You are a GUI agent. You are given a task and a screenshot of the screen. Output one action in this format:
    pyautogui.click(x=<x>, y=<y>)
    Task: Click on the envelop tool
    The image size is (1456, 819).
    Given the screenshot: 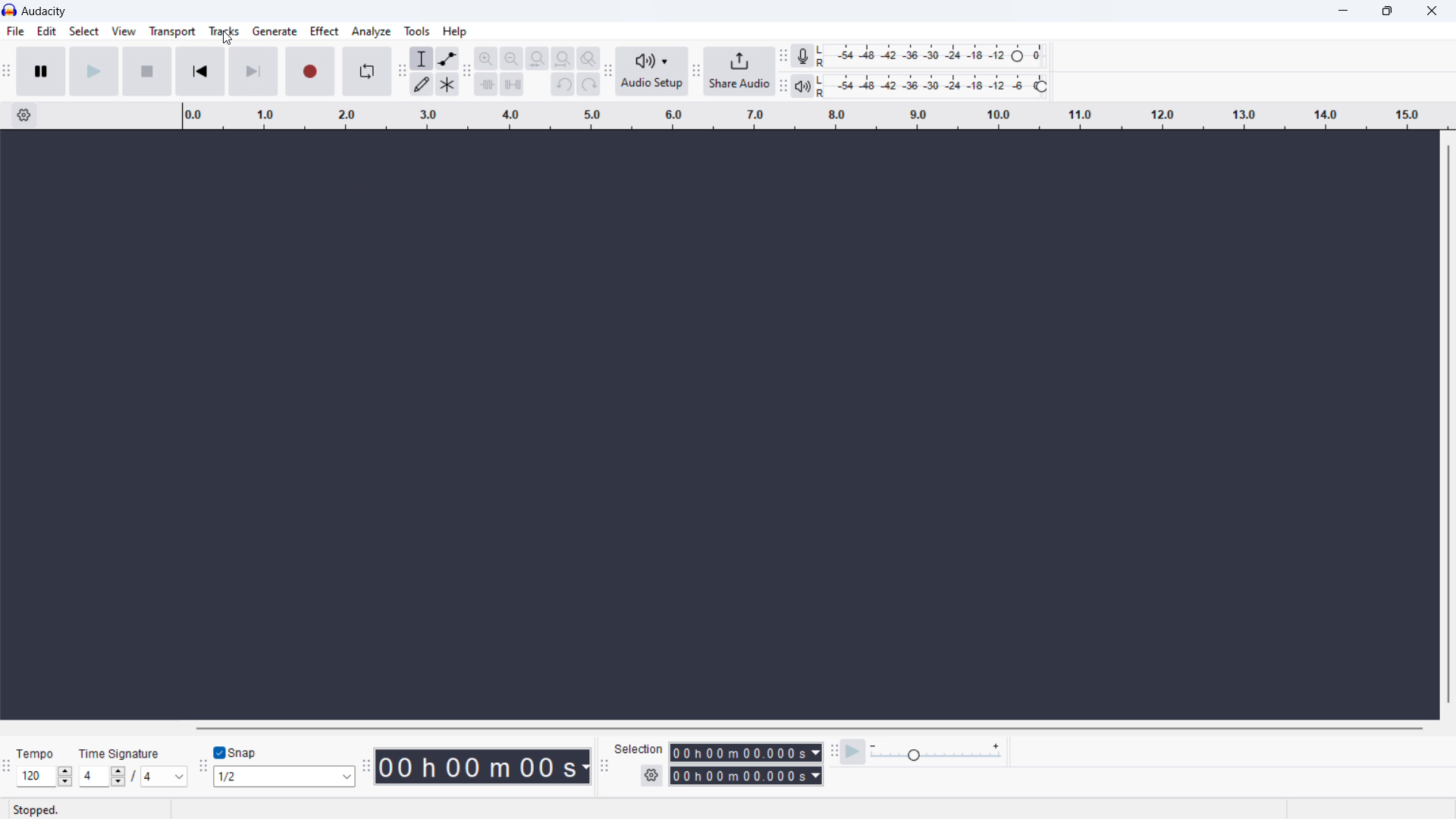 What is the action you would take?
    pyautogui.click(x=447, y=58)
    